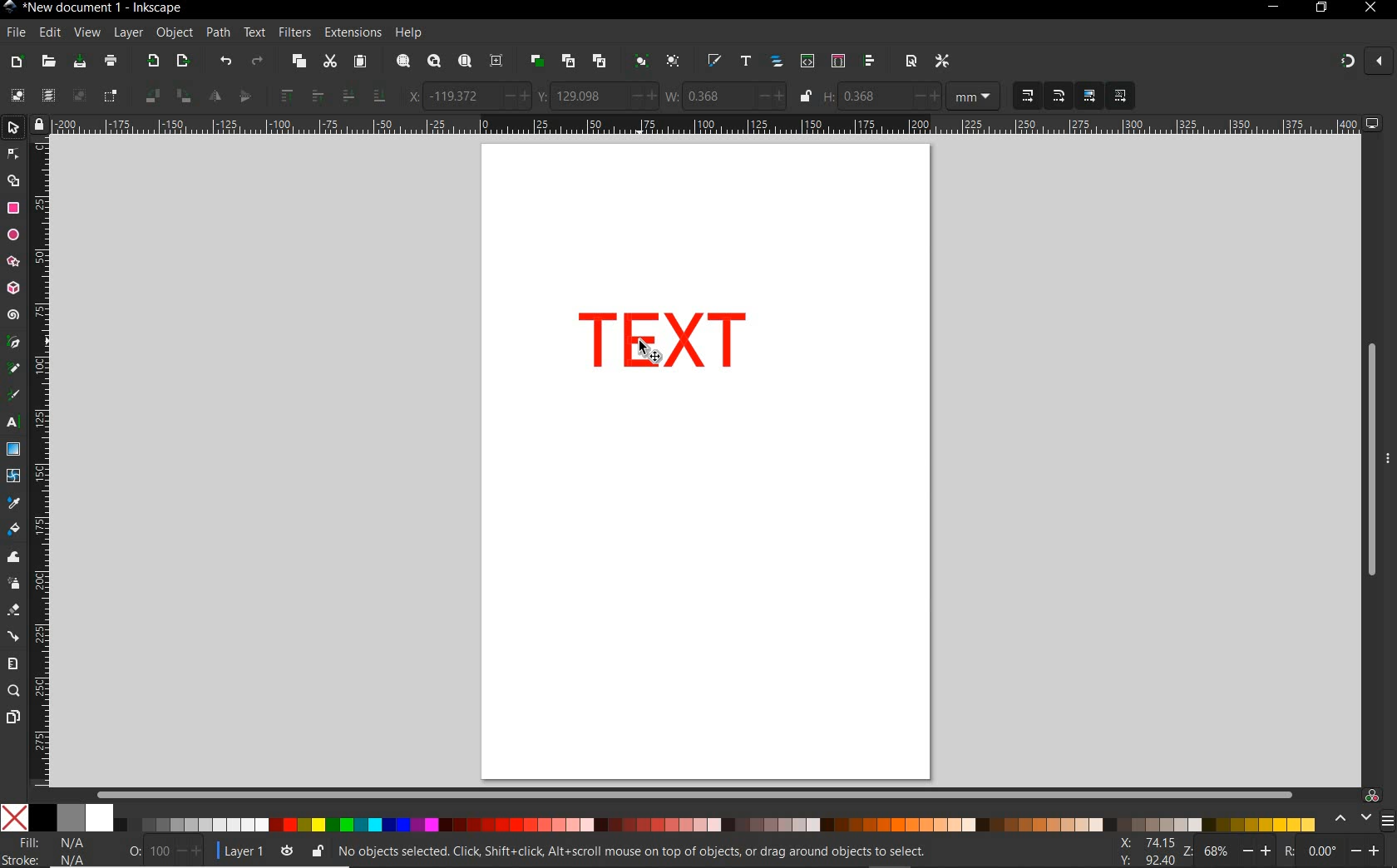 The image size is (1397, 868). What do you see at coordinates (47, 33) in the screenshot?
I see `EDIT` at bounding box center [47, 33].